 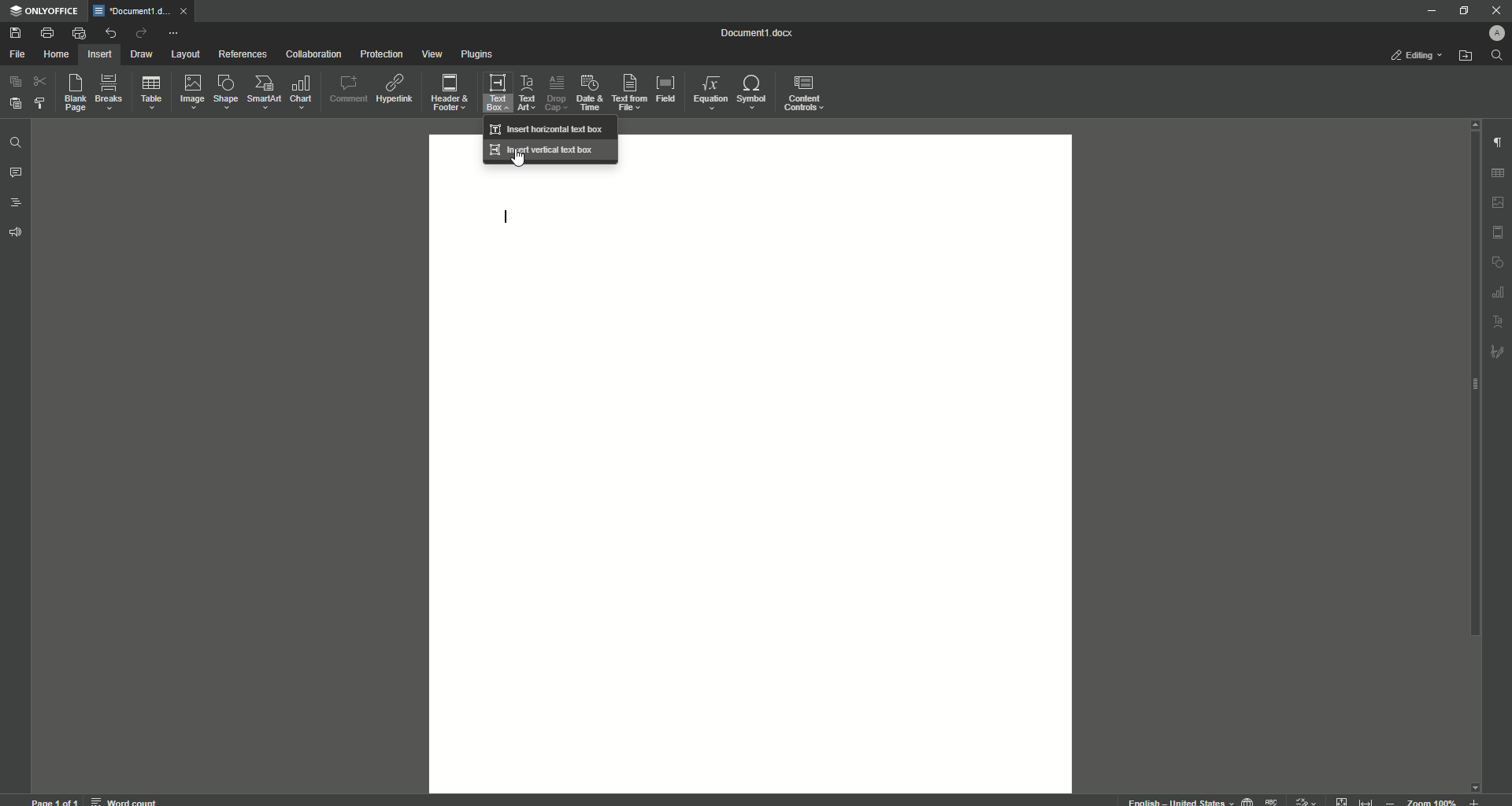 What do you see at coordinates (348, 89) in the screenshot?
I see `Comment` at bounding box center [348, 89].